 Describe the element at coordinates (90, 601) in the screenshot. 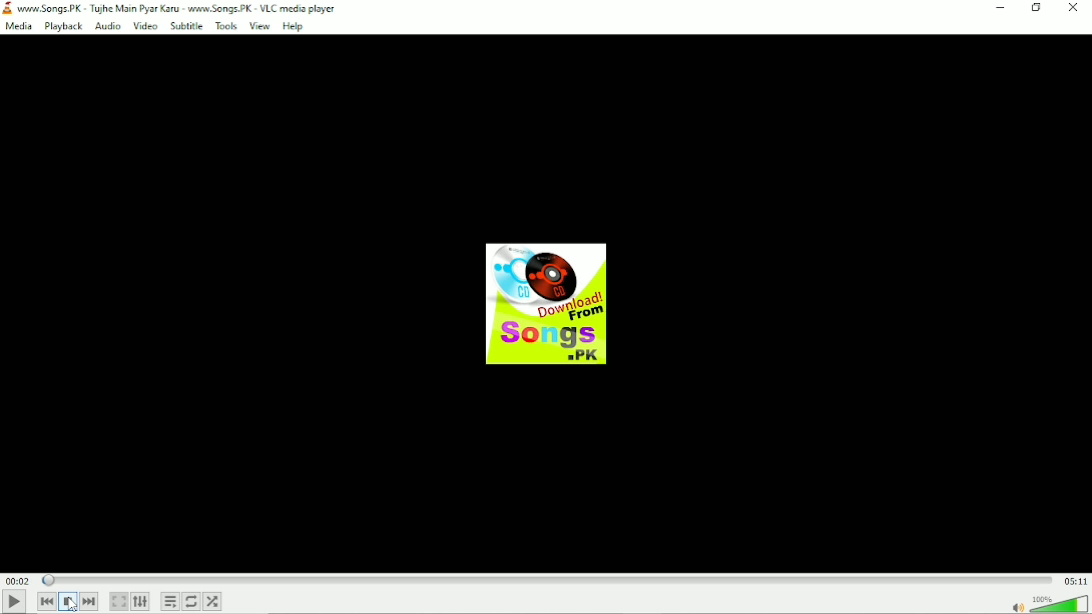

I see `Next` at that location.